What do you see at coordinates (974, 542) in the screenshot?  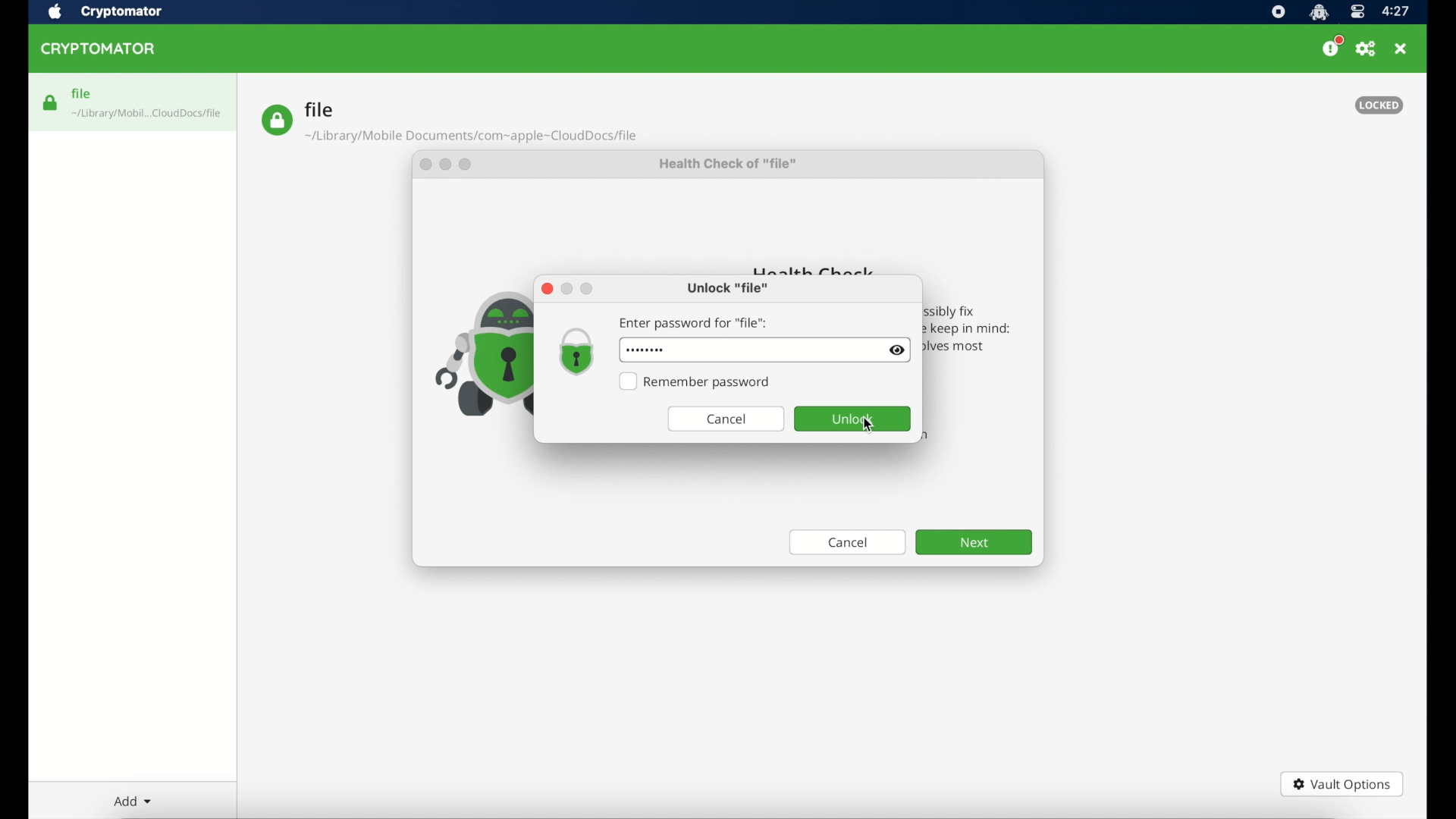 I see `next` at bounding box center [974, 542].